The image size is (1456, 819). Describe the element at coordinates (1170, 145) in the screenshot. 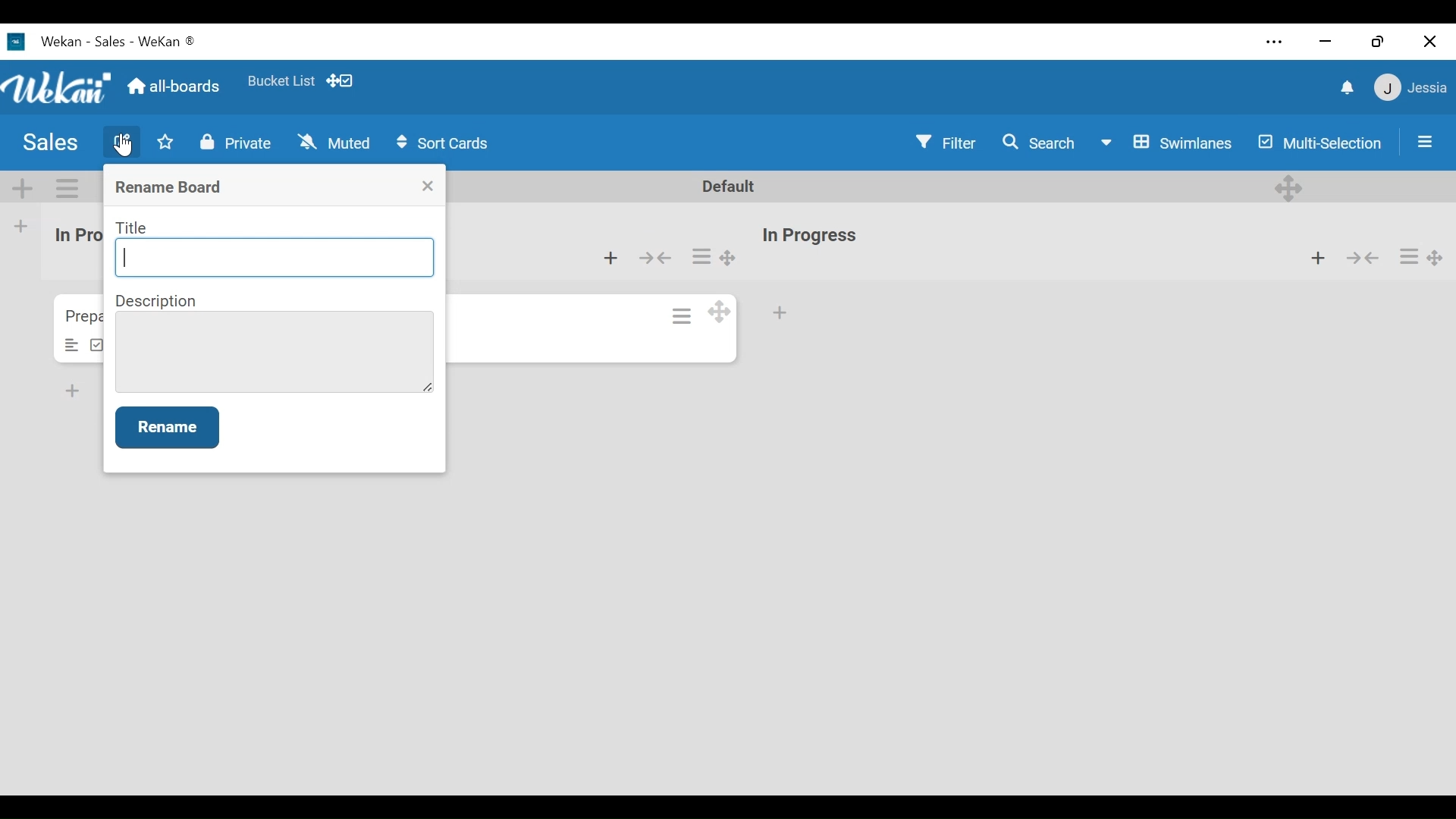

I see `Board view` at that location.